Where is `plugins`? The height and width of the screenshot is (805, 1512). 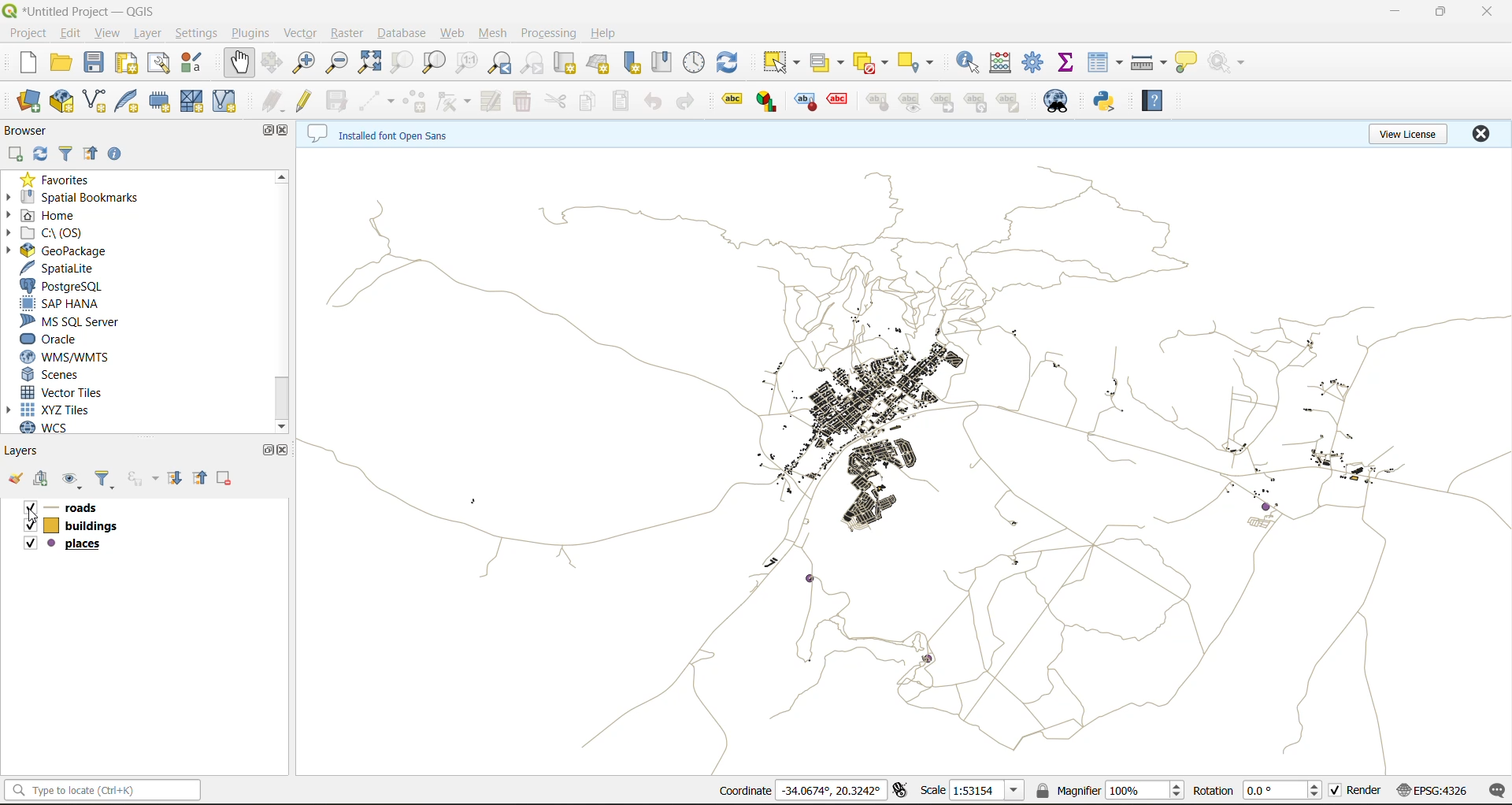 plugins is located at coordinates (254, 33).